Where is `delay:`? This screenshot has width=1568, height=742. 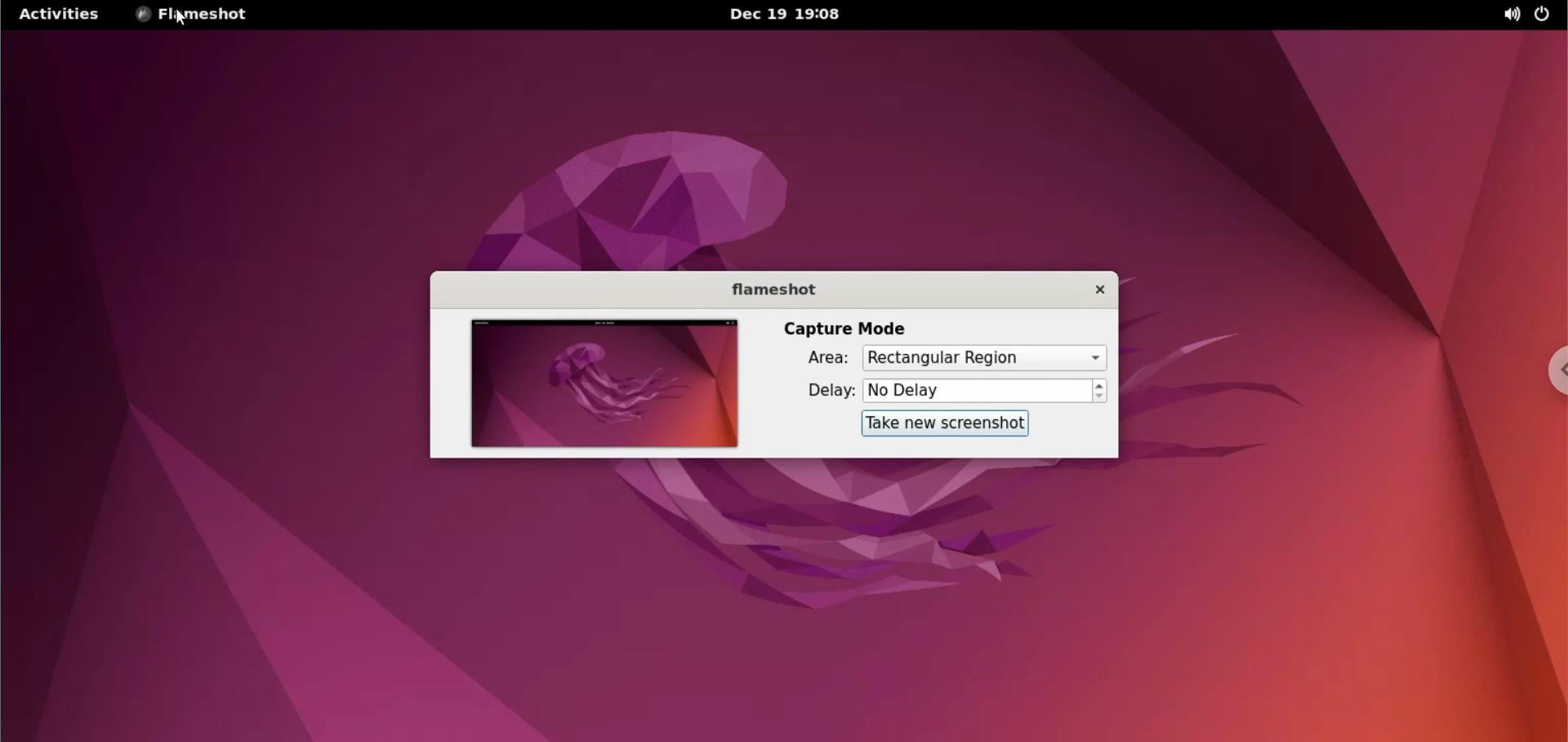
delay: is located at coordinates (815, 391).